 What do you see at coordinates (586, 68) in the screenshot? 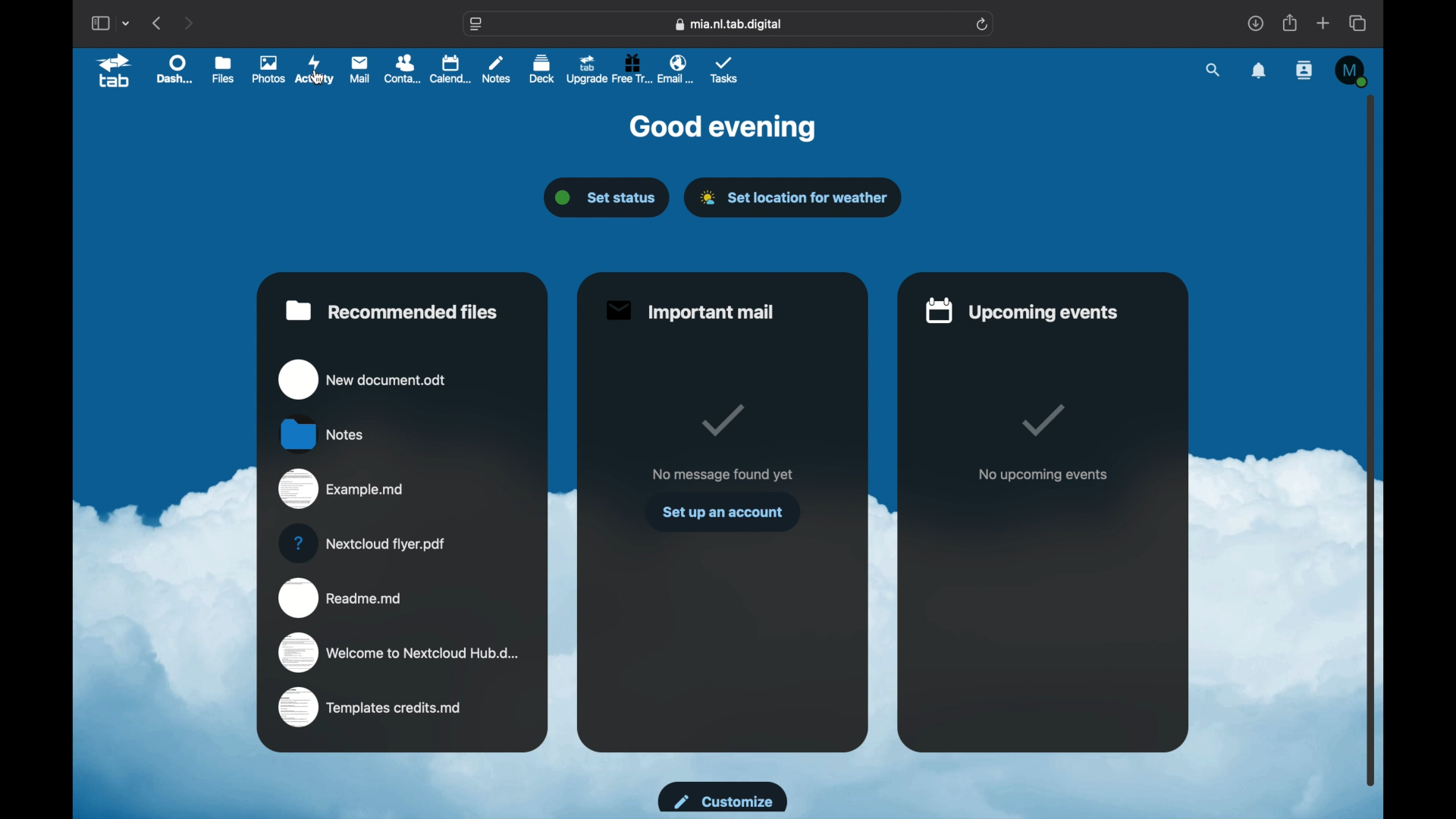
I see `upgrade` at bounding box center [586, 68].